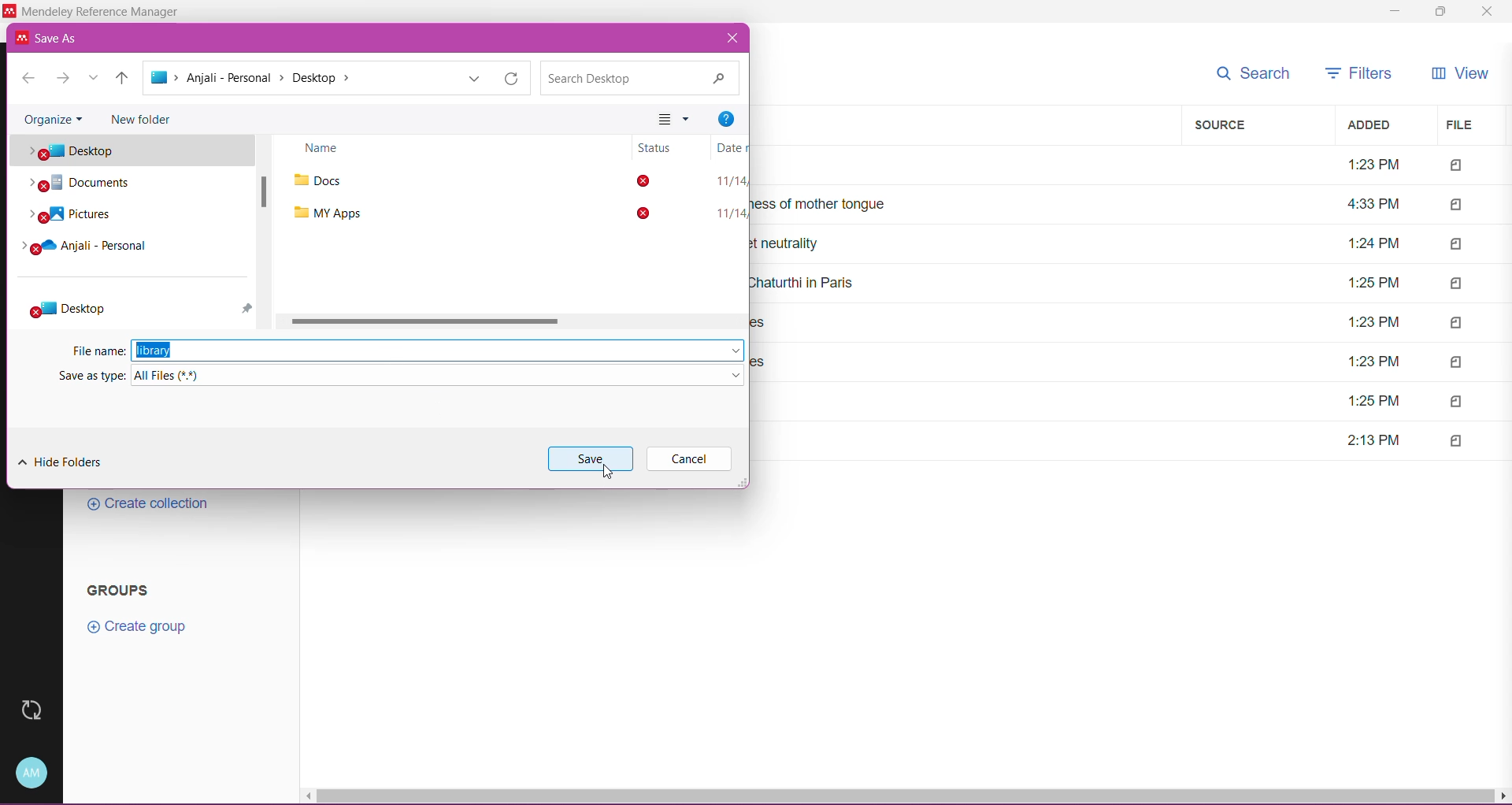 The height and width of the screenshot is (805, 1512). What do you see at coordinates (1399, 12) in the screenshot?
I see `Minimize` at bounding box center [1399, 12].